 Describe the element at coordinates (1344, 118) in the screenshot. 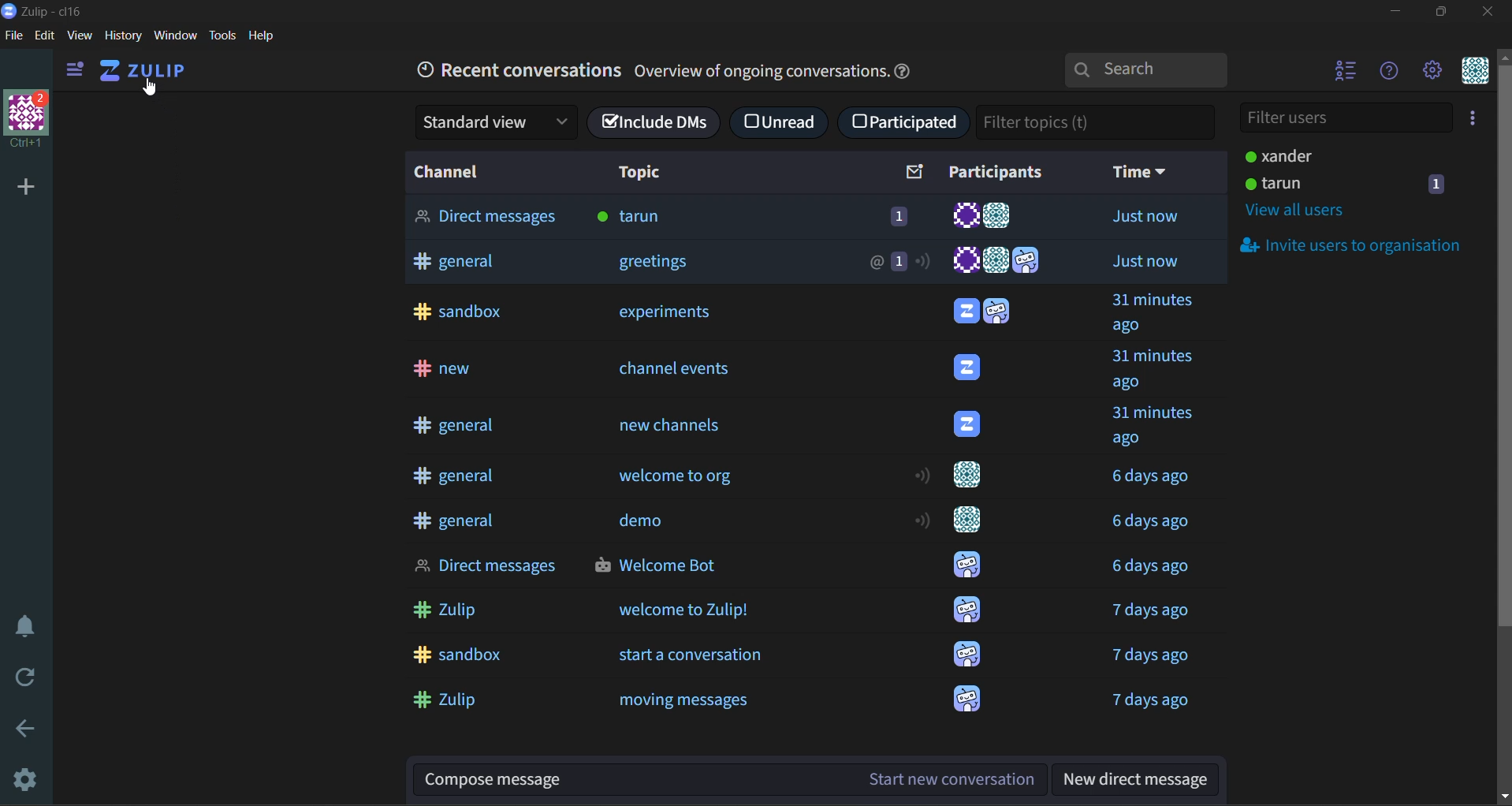

I see `filter users` at that location.